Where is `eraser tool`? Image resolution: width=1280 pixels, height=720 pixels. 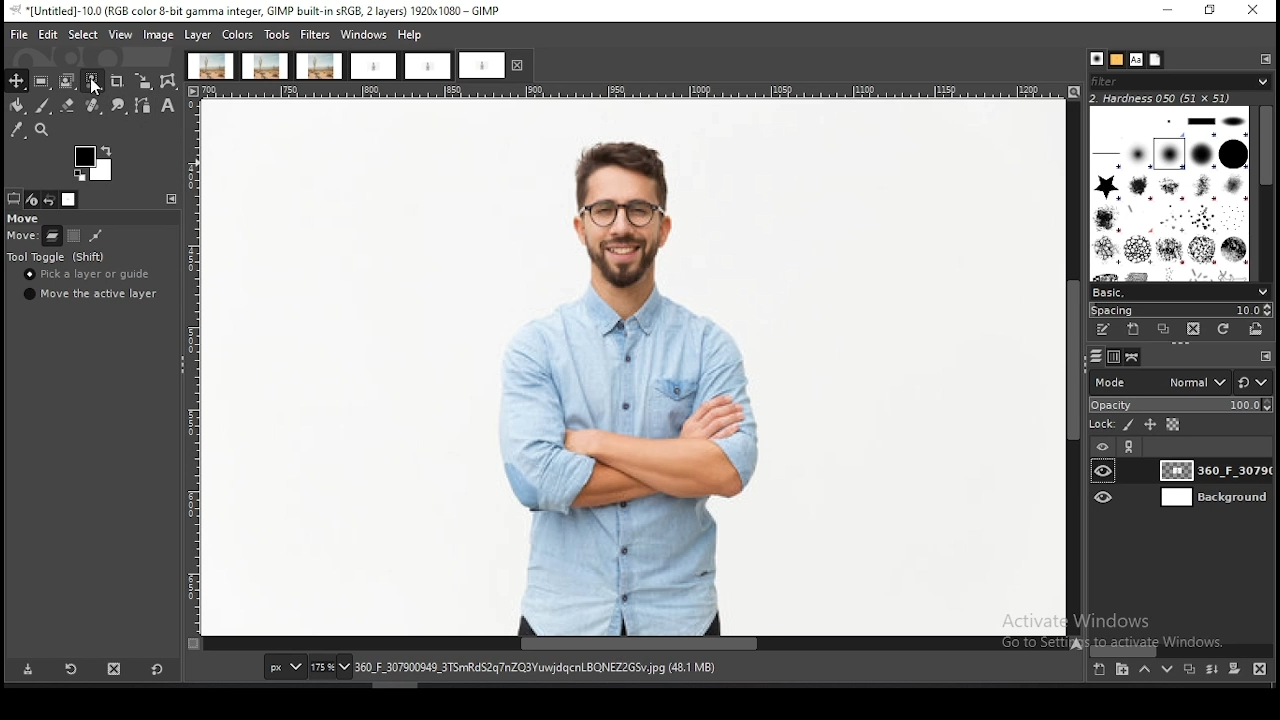 eraser tool is located at coordinates (68, 105).